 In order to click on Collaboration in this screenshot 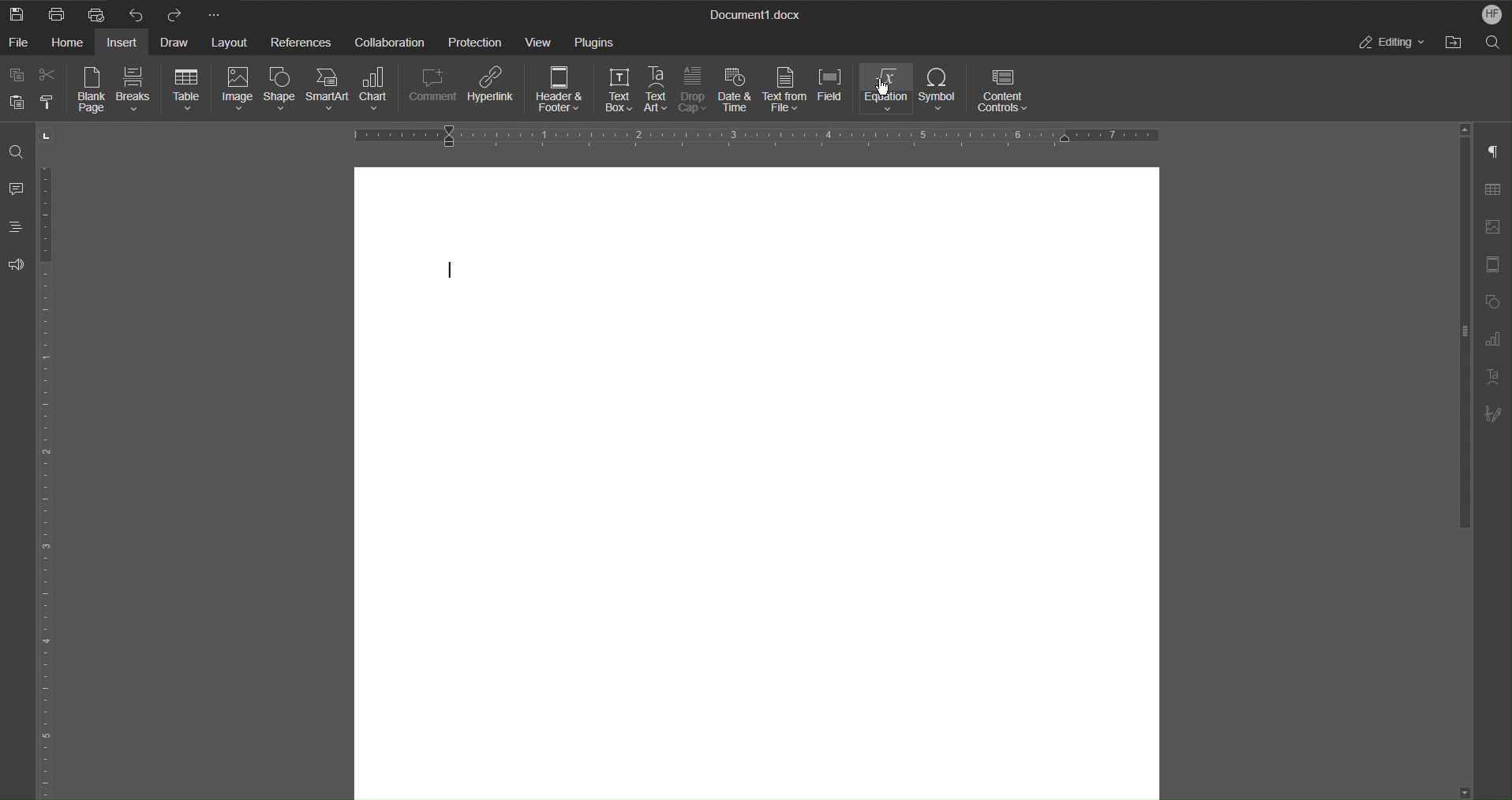, I will do `click(392, 42)`.